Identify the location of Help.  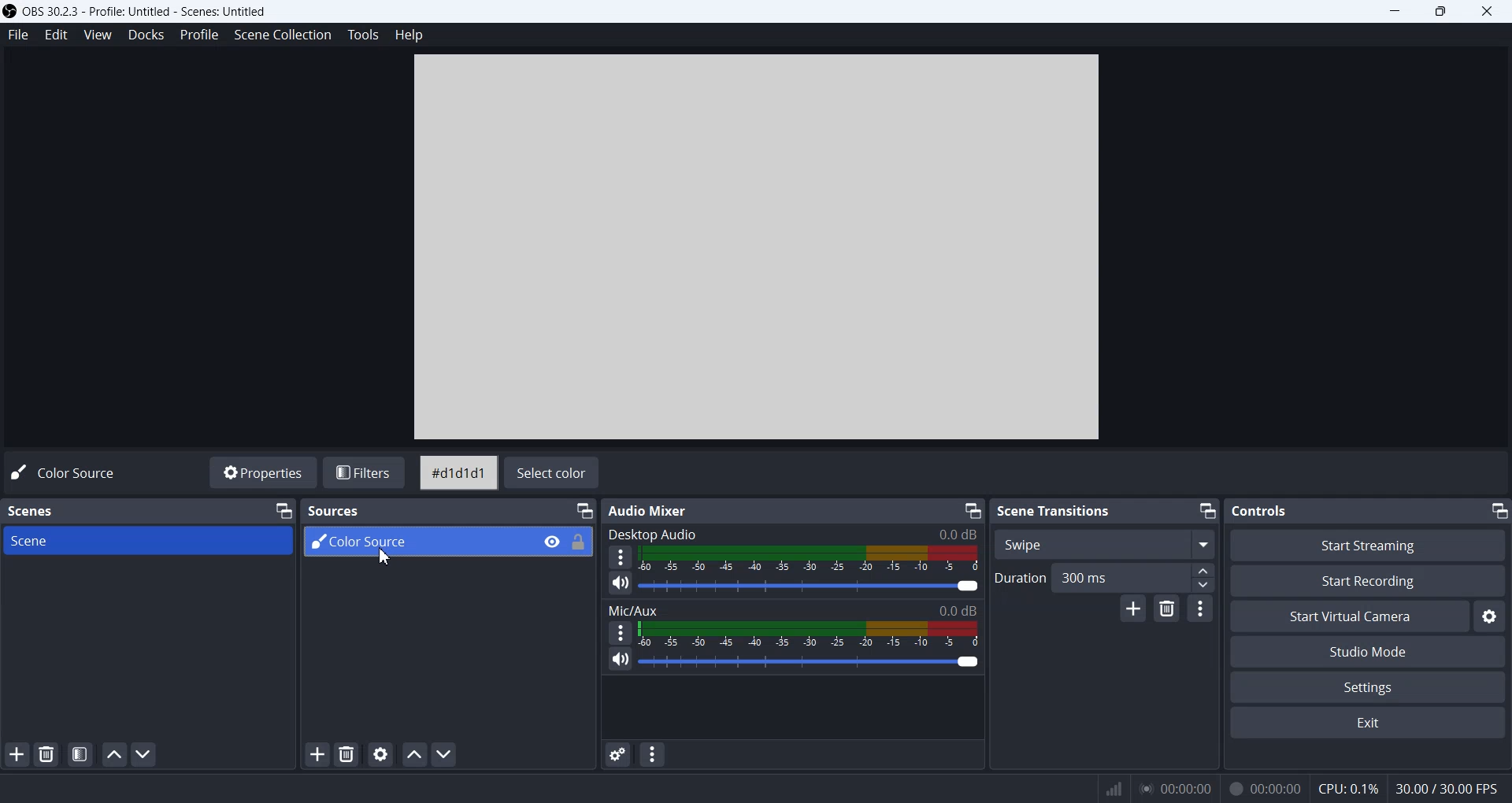
(411, 34).